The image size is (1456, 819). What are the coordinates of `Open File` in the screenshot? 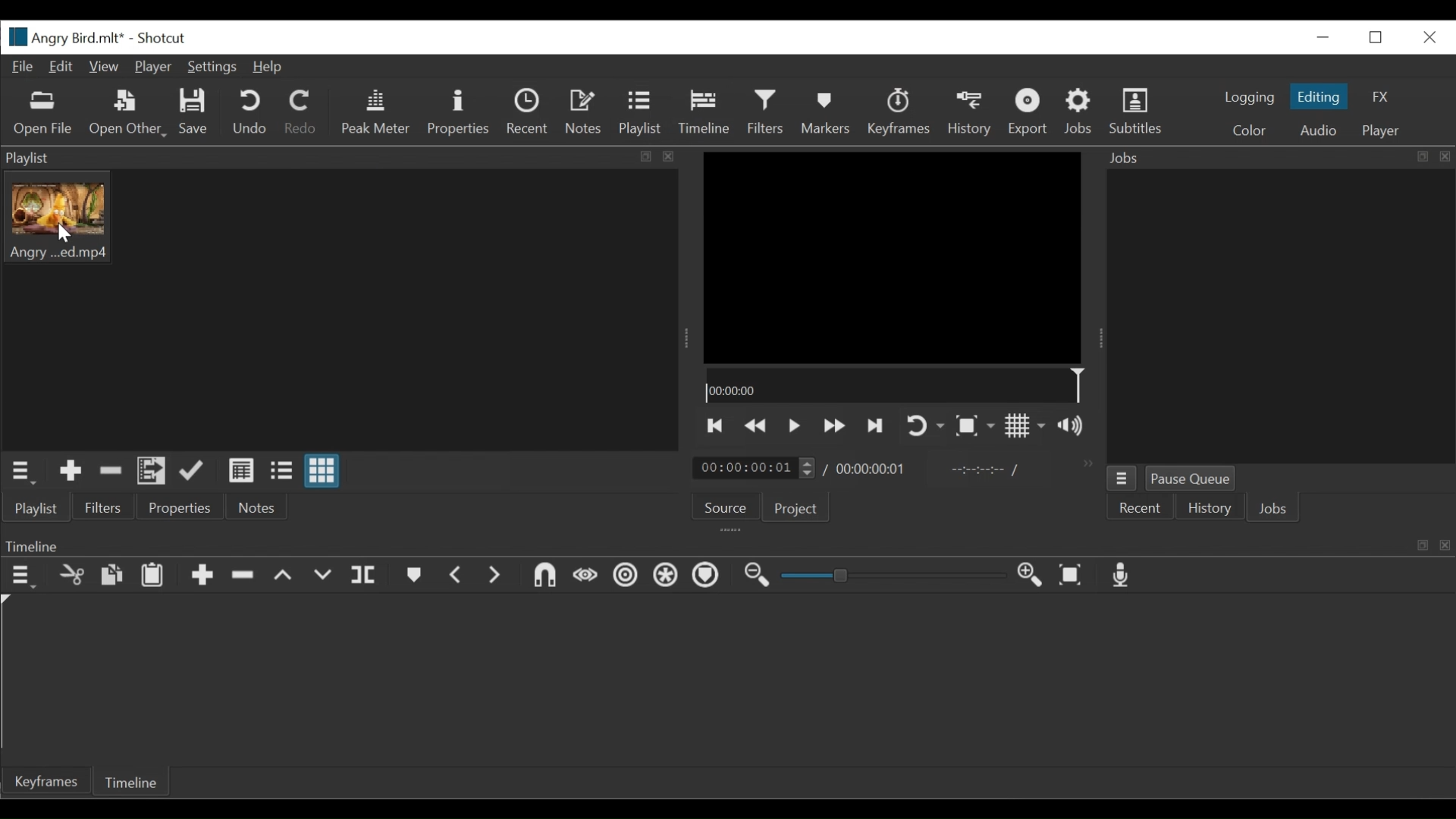 It's located at (42, 116).